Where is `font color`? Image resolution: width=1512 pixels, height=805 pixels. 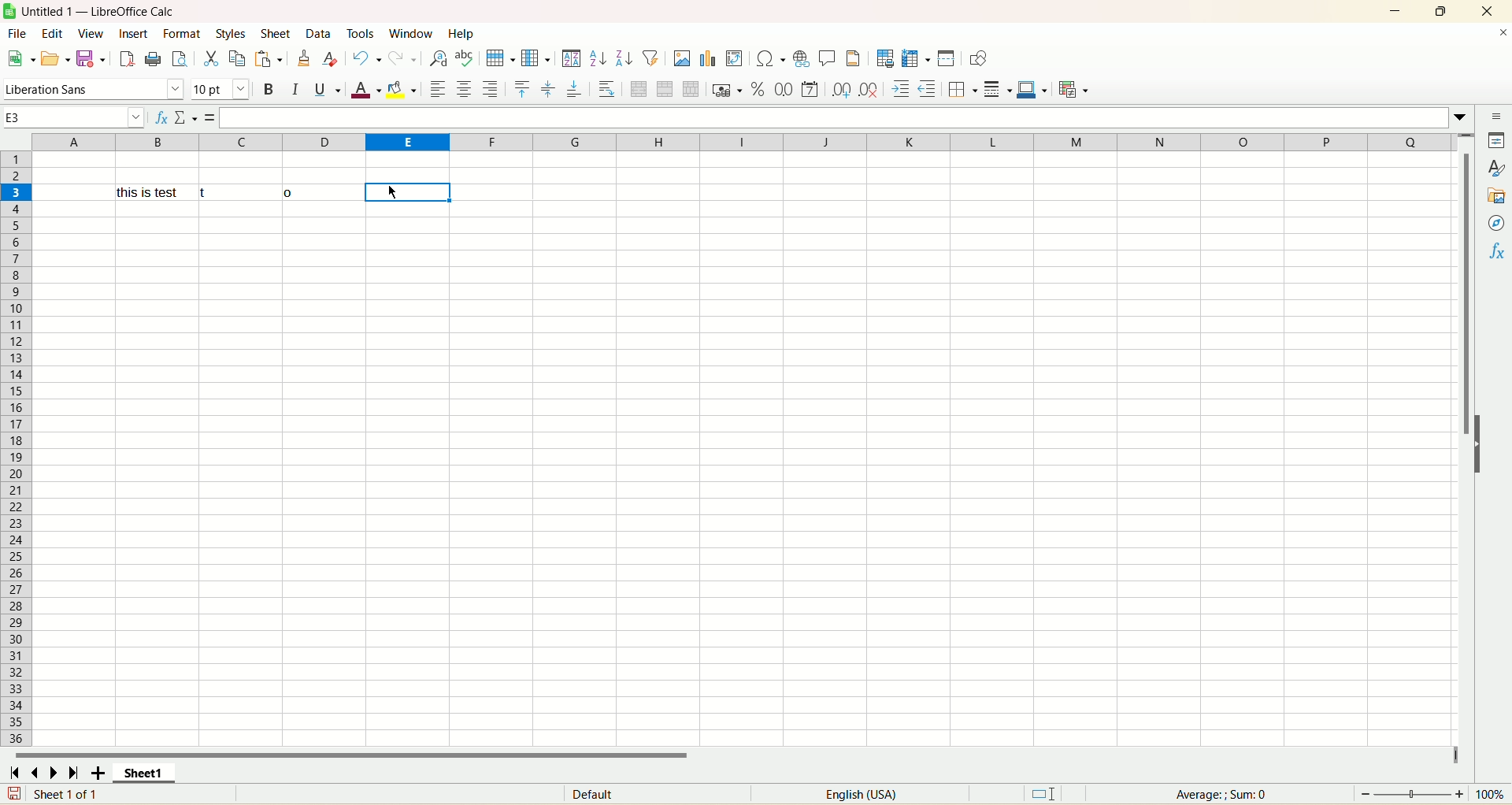
font color is located at coordinates (368, 91).